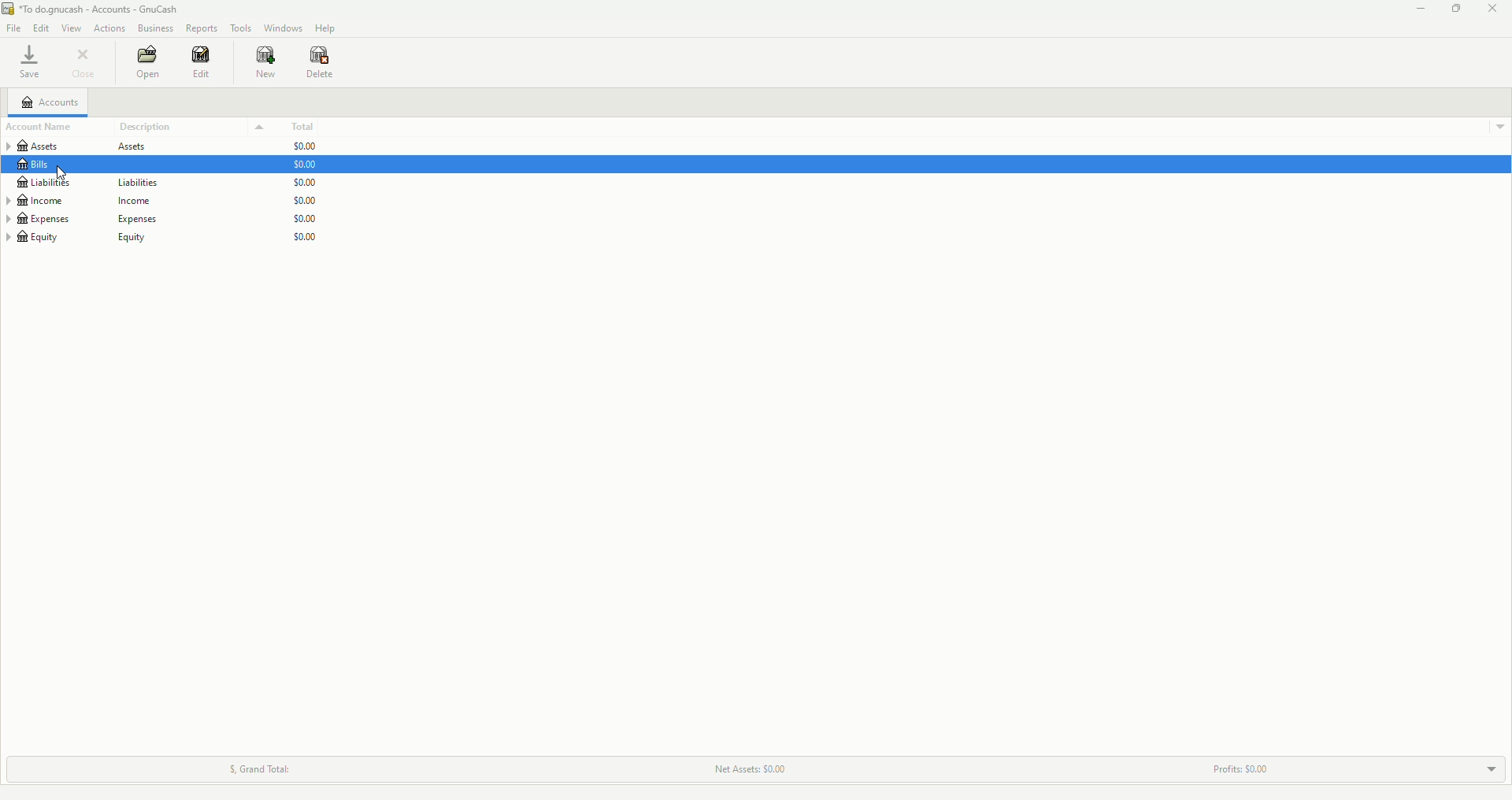 This screenshot has width=1512, height=800. What do you see at coordinates (97, 10) in the screenshot?
I see `GnuCash` at bounding box center [97, 10].